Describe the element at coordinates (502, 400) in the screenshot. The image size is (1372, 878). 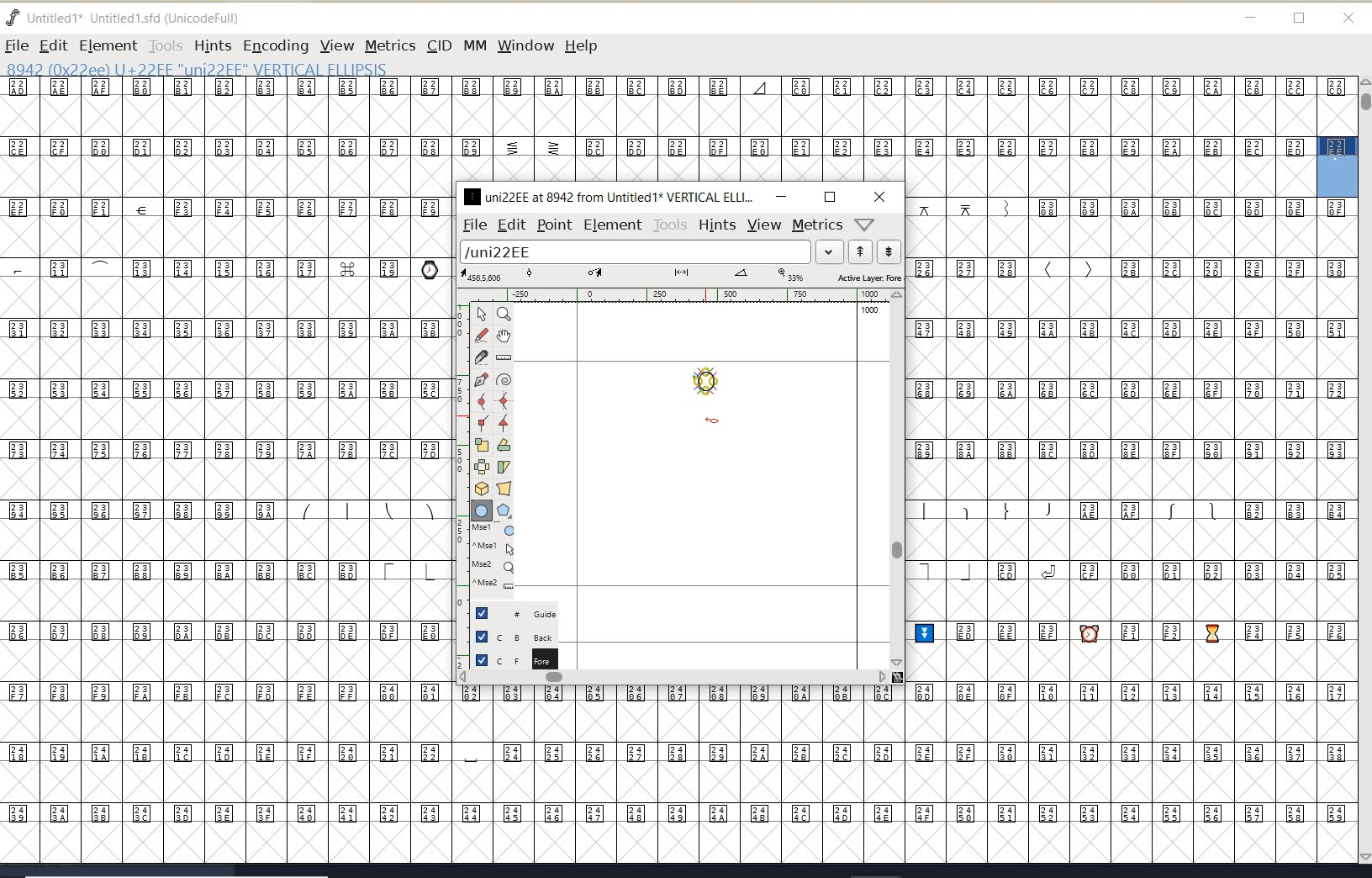
I see `add a curve point always either horizontal or vertical` at that location.